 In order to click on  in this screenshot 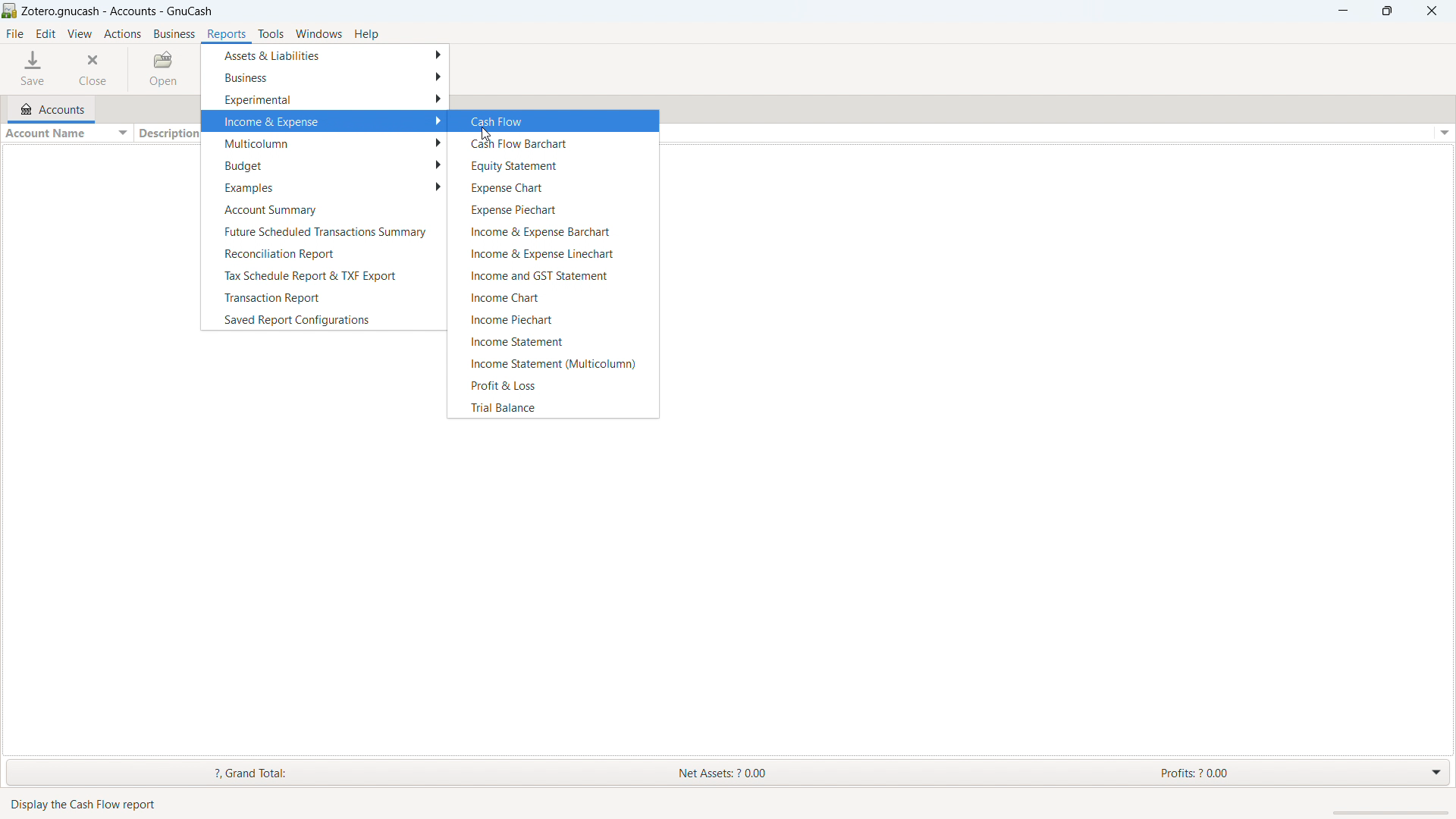, I will do `click(324, 121)`.